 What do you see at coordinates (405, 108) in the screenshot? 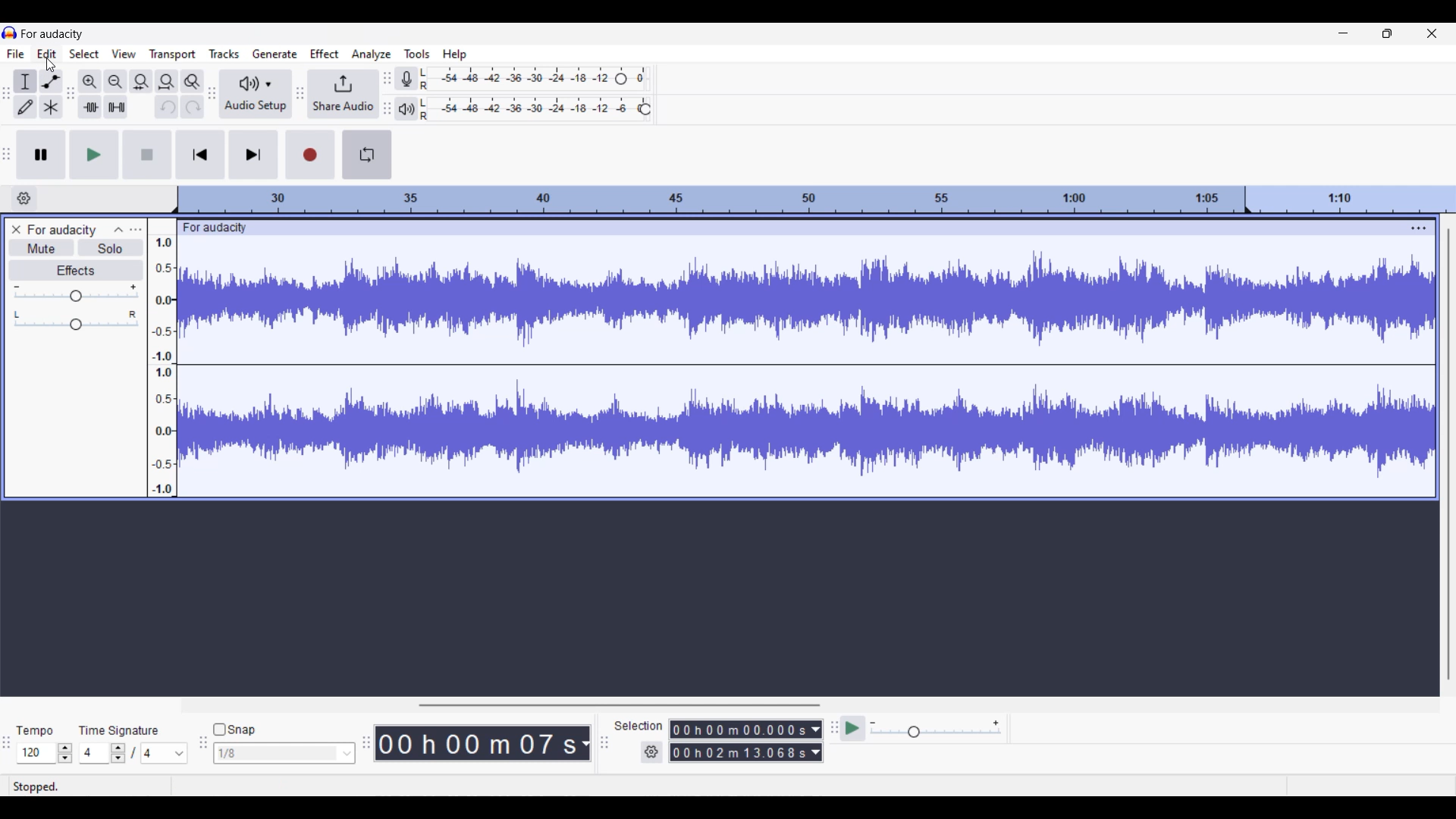
I see `Playback meter` at bounding box center [405, 108].